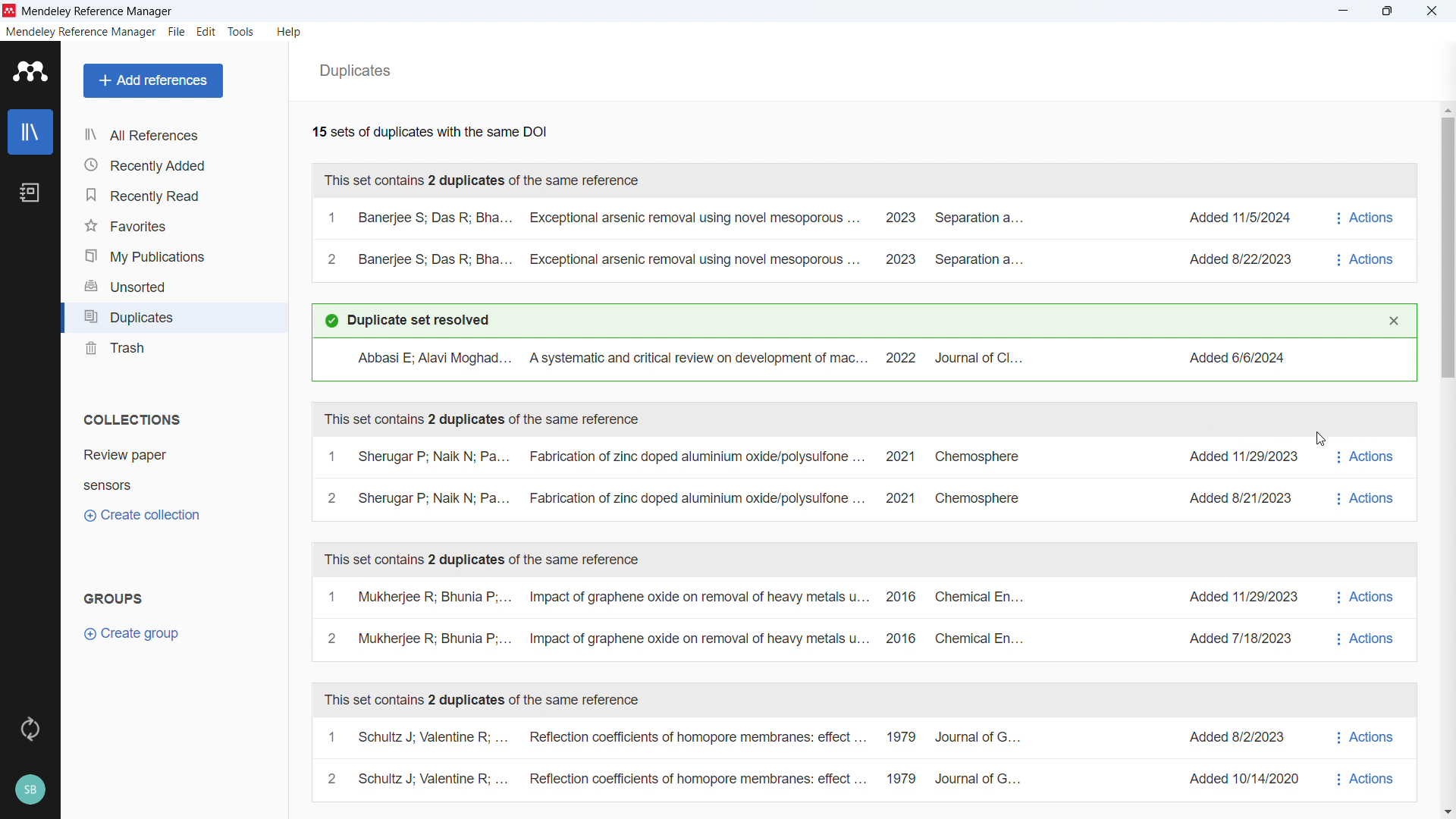 The image size is (1456, 819). I want to click on tools, so click(241, 32).